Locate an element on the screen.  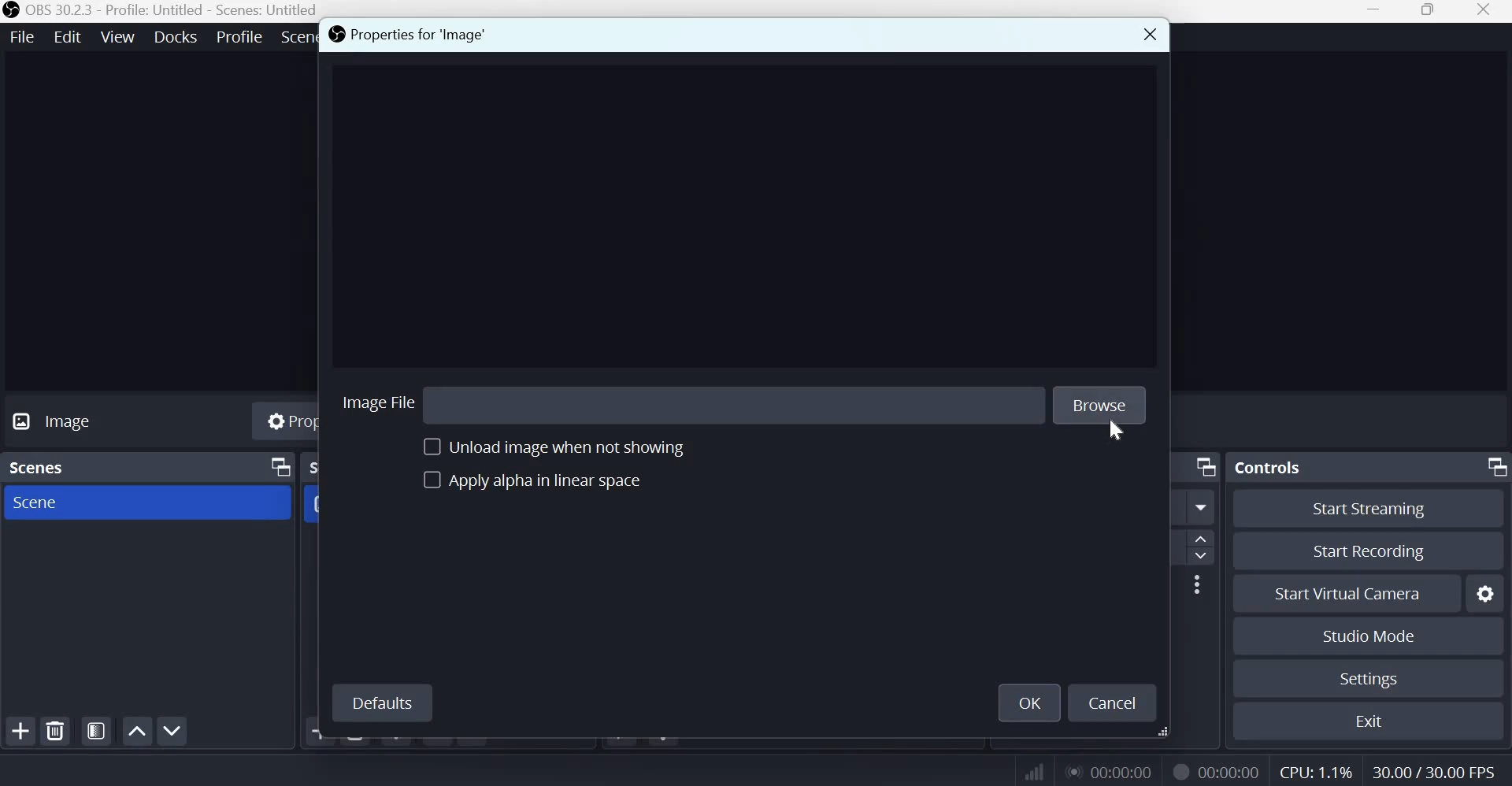
Minimize is located at coordinates (1376, 11).